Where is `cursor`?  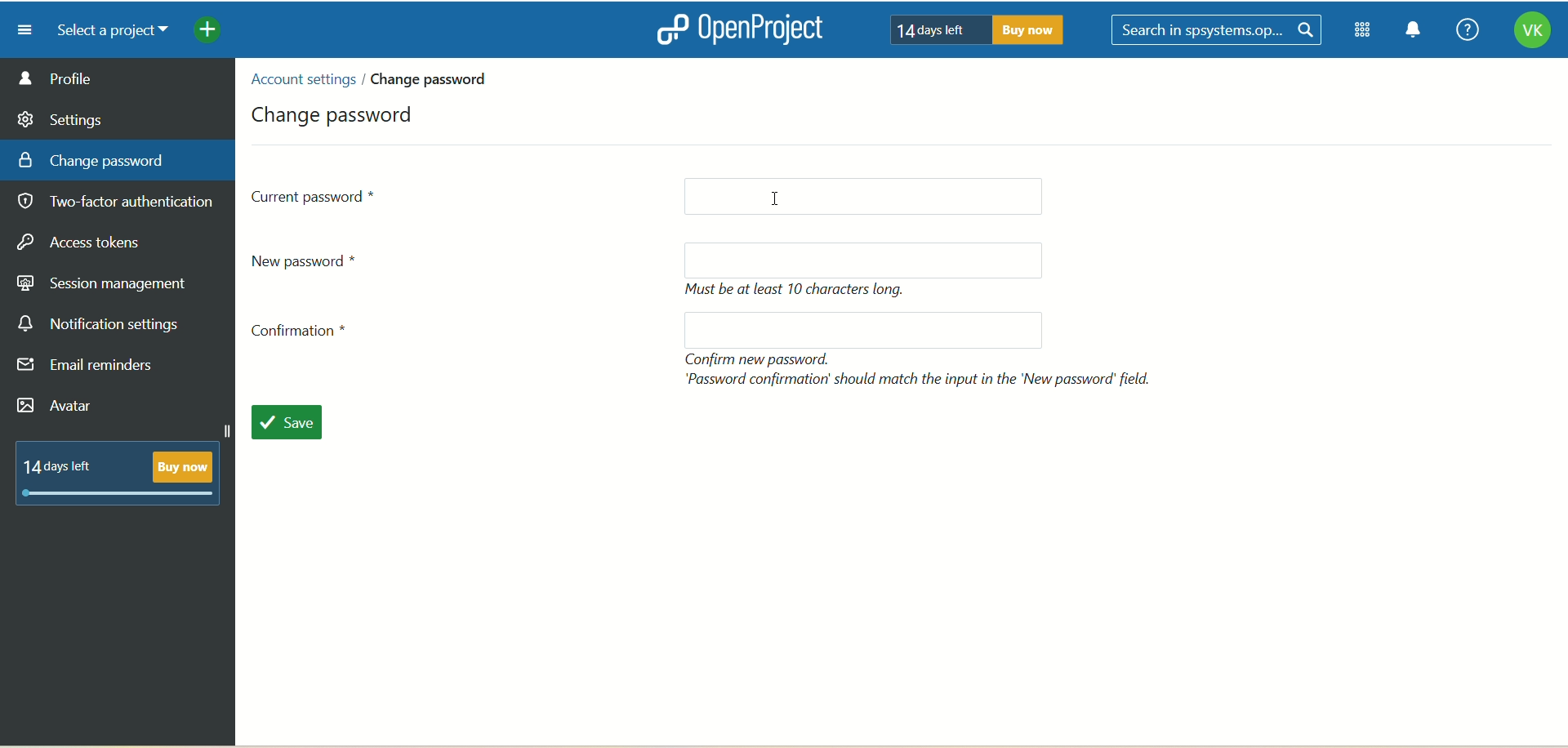
cursor is located at coordinates (781, 195).